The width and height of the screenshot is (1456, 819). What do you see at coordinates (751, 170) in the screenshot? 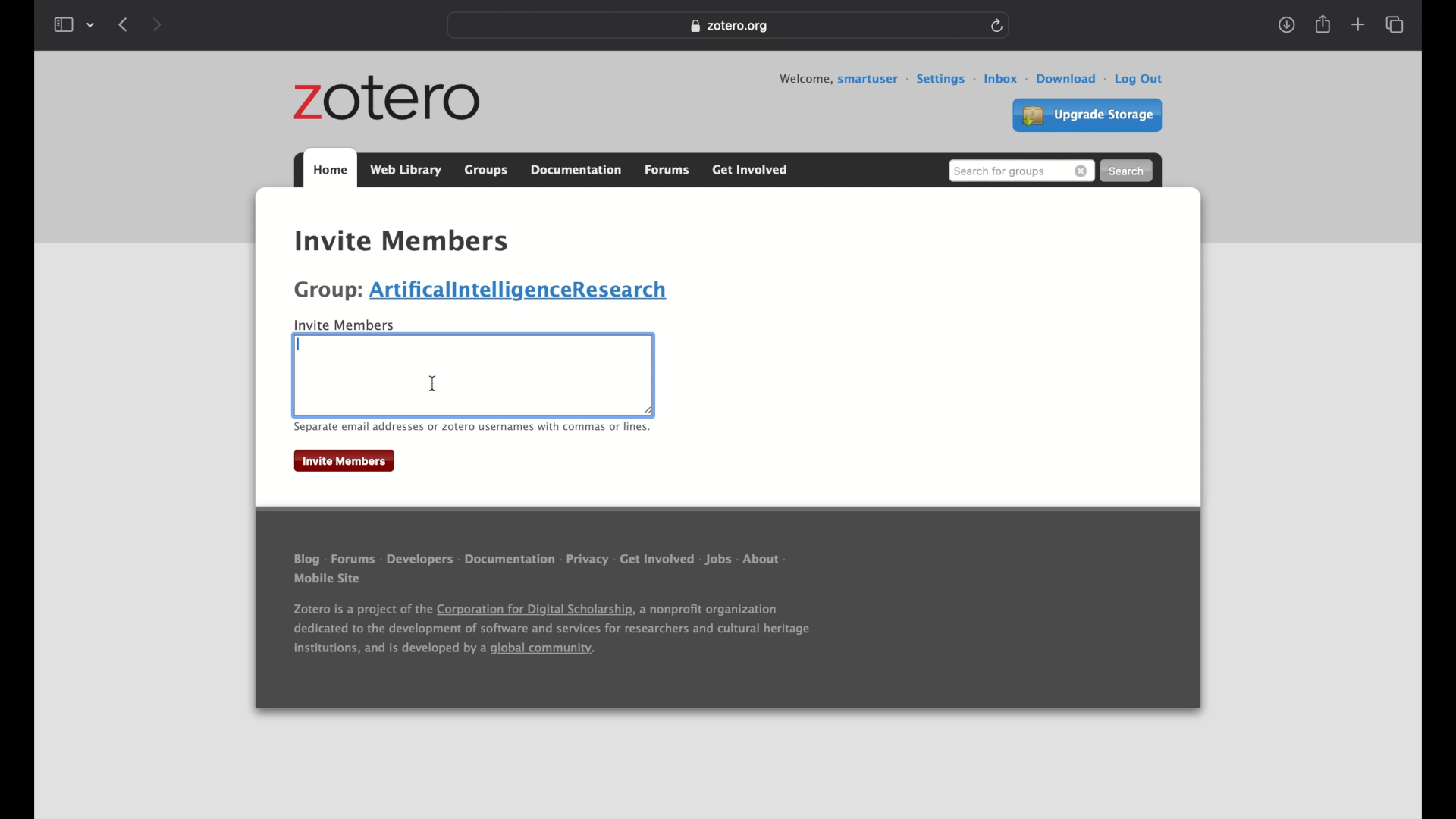
I see `get involved` at bounding box center [751, 170].